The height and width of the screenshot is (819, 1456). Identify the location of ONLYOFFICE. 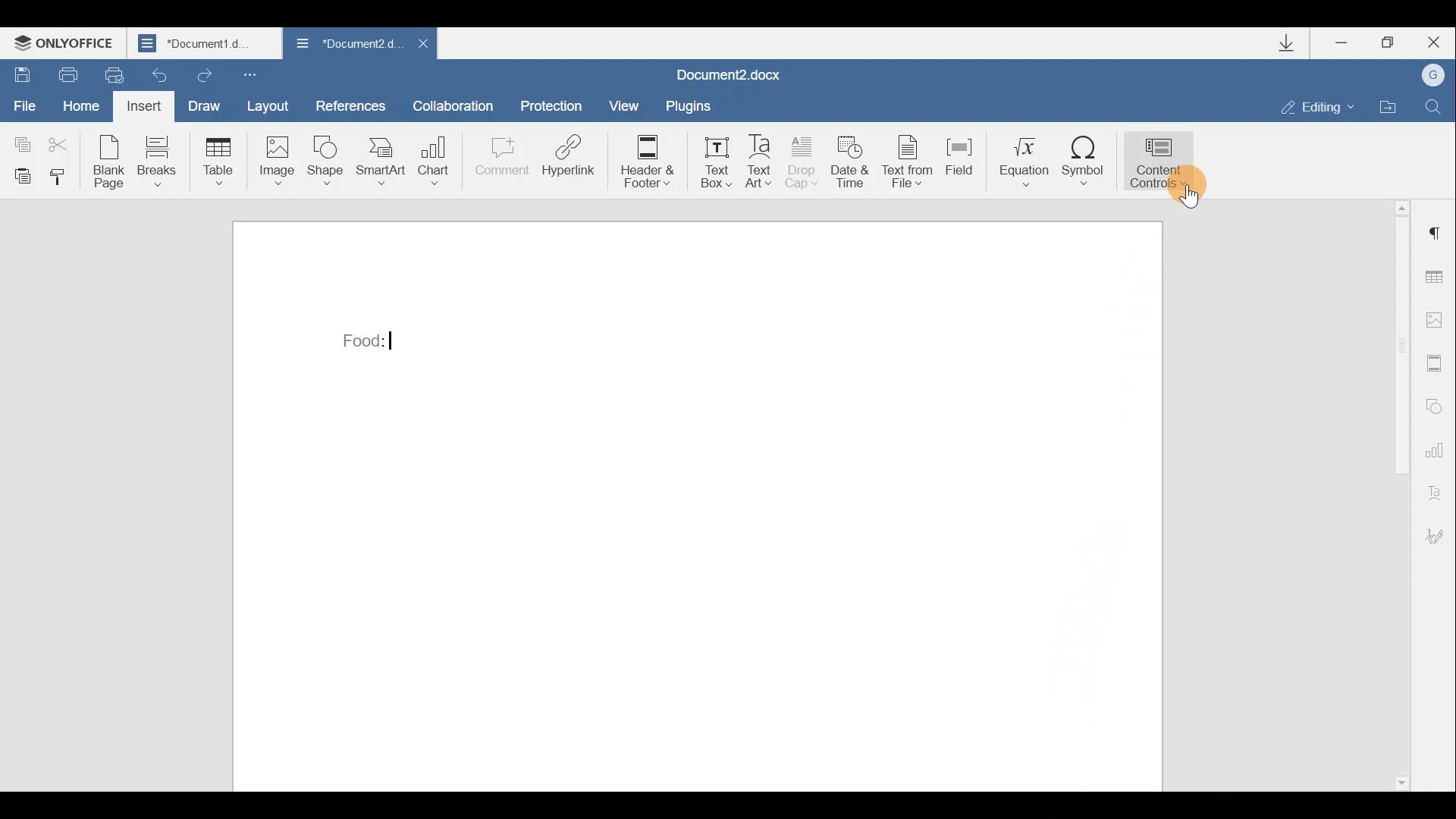
(67, 42).